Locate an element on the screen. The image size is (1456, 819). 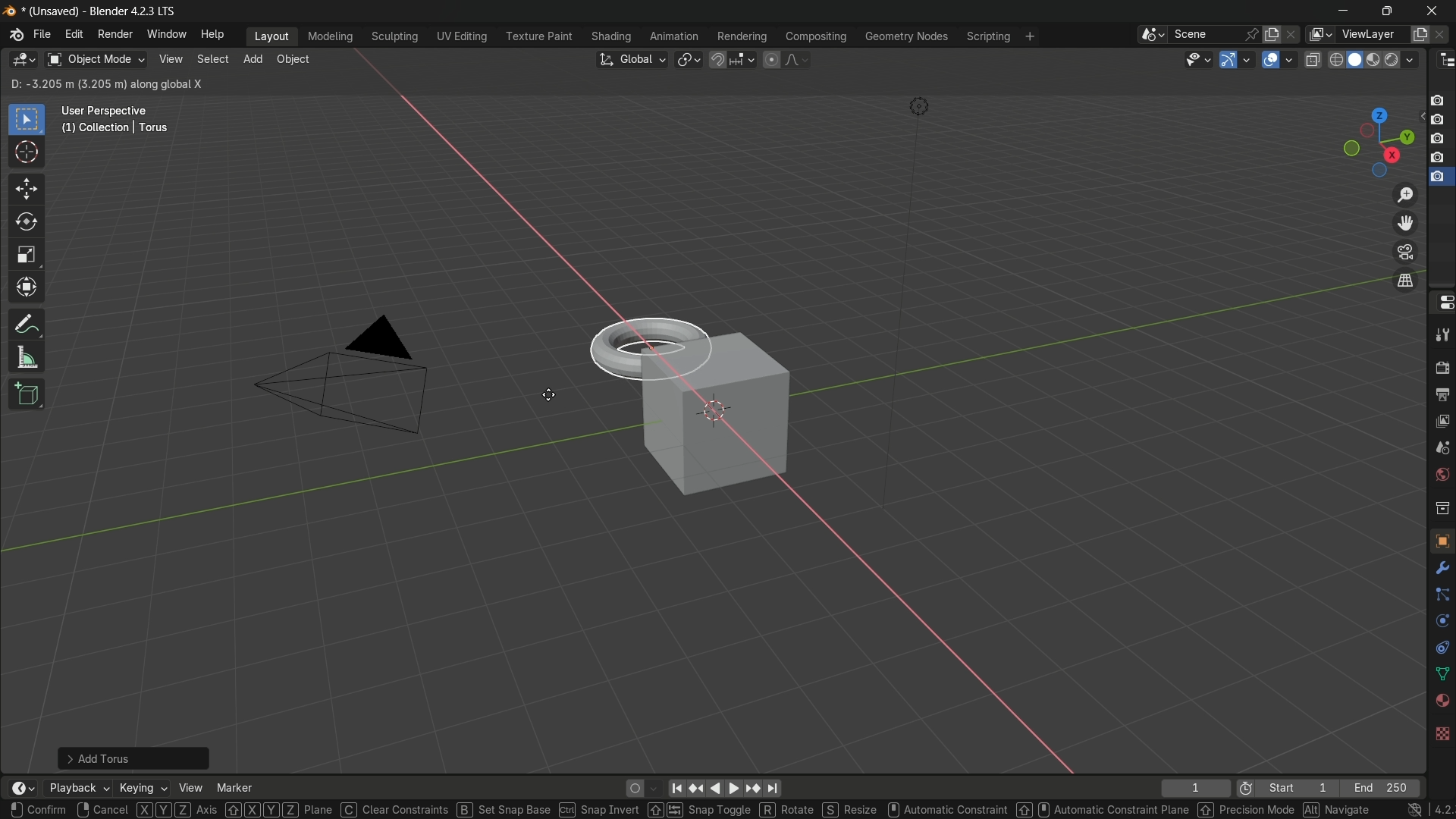
confirm is located at coordinates (39, 808).